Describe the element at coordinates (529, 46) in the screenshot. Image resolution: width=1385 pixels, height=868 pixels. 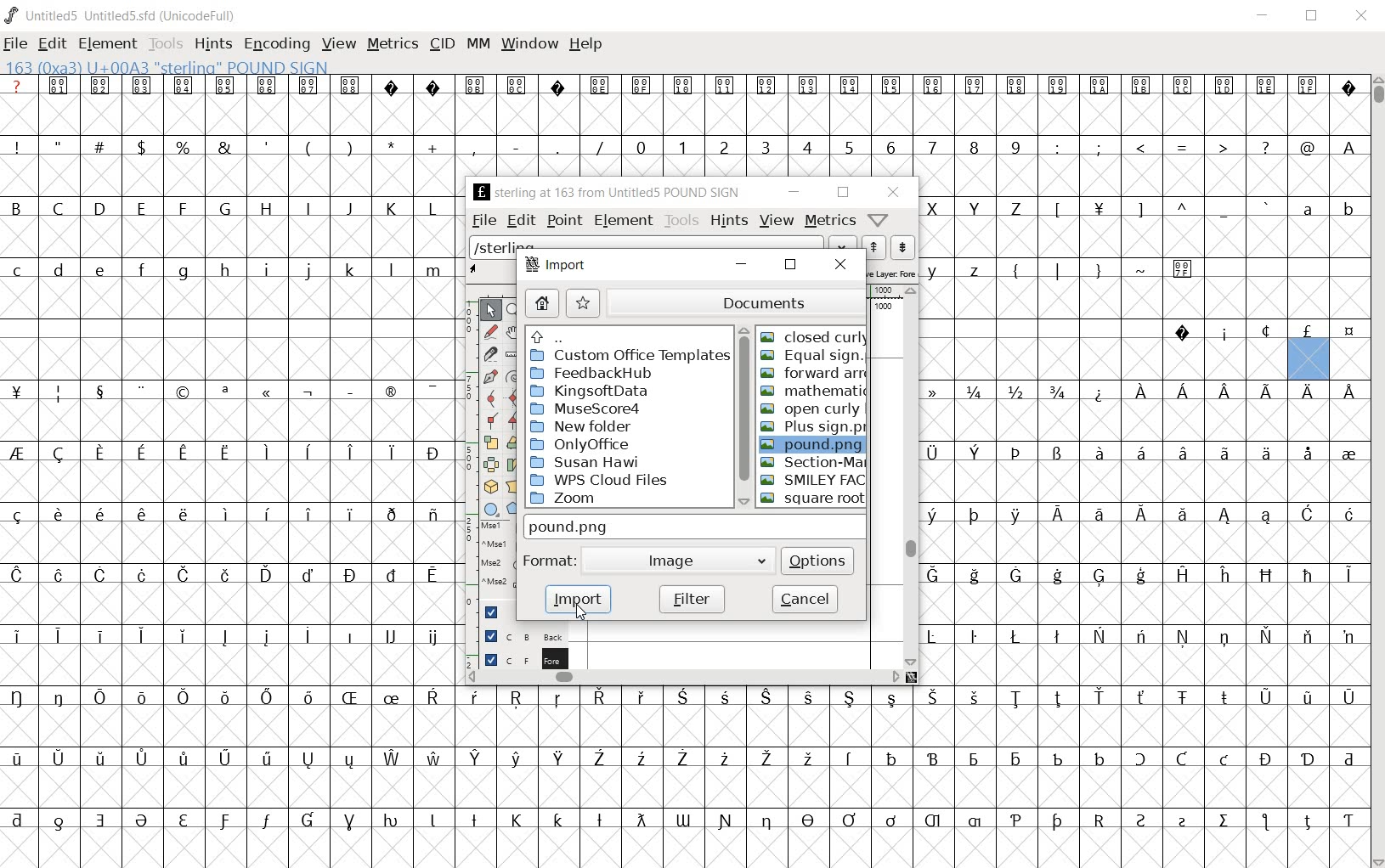
I see `WINDOW` at that location.